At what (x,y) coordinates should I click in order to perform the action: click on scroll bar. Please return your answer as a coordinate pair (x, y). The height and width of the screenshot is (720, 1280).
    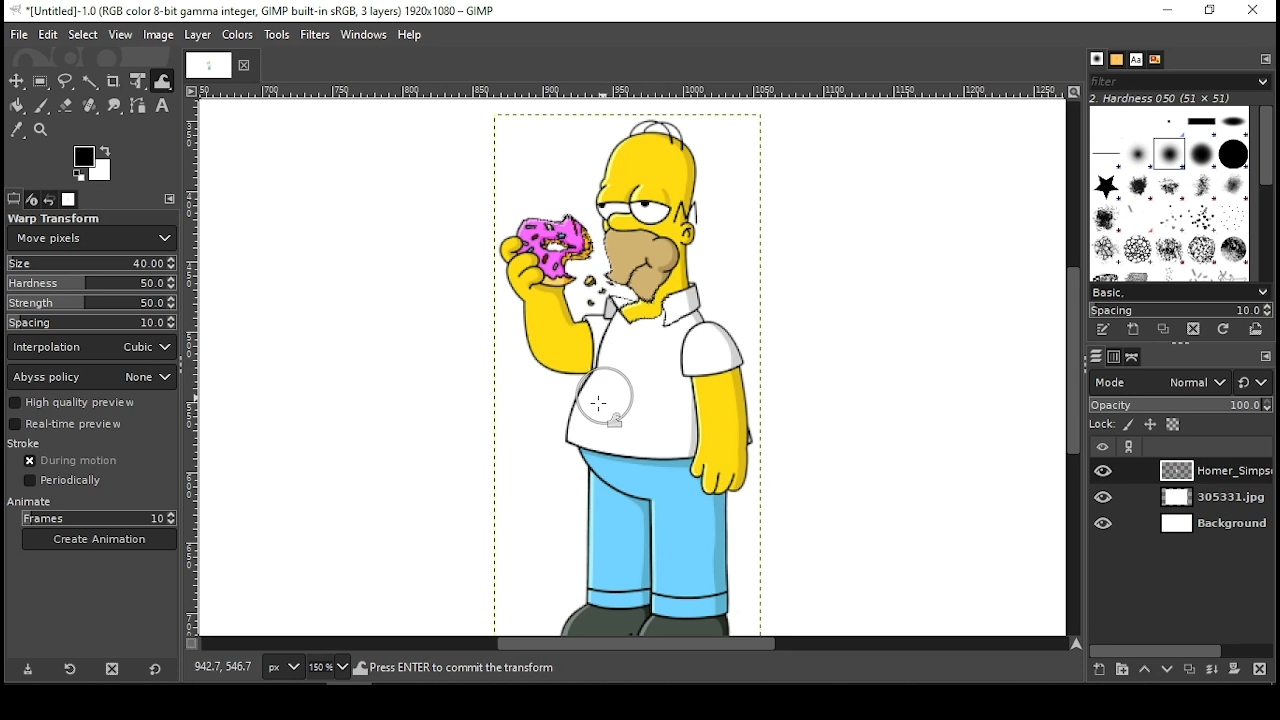
    Looking at the image, I should click on (1076, 369).